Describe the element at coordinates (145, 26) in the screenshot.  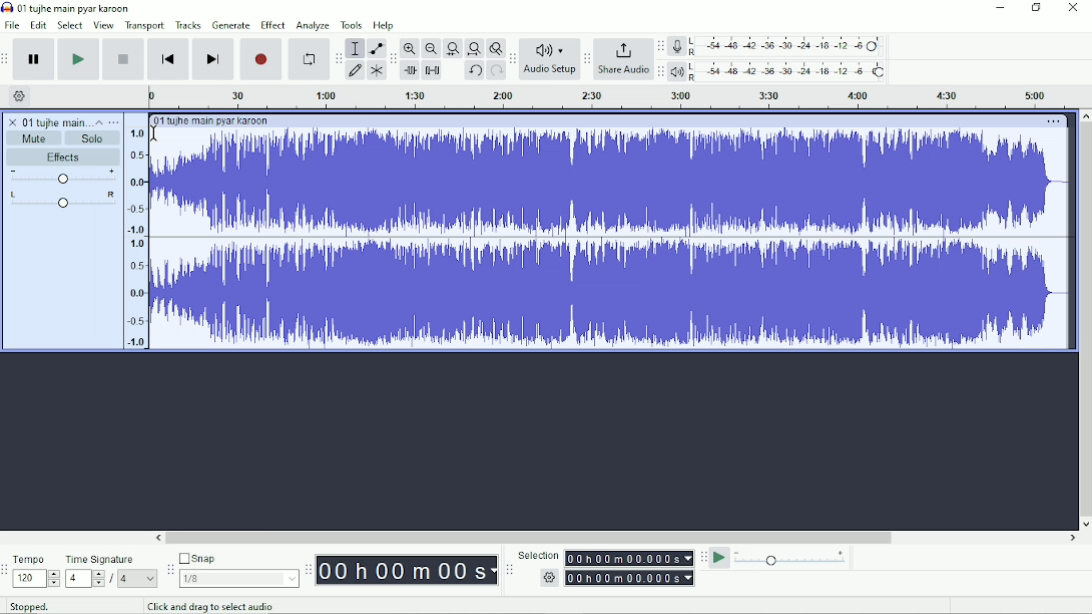
I see `Transport` at that location.